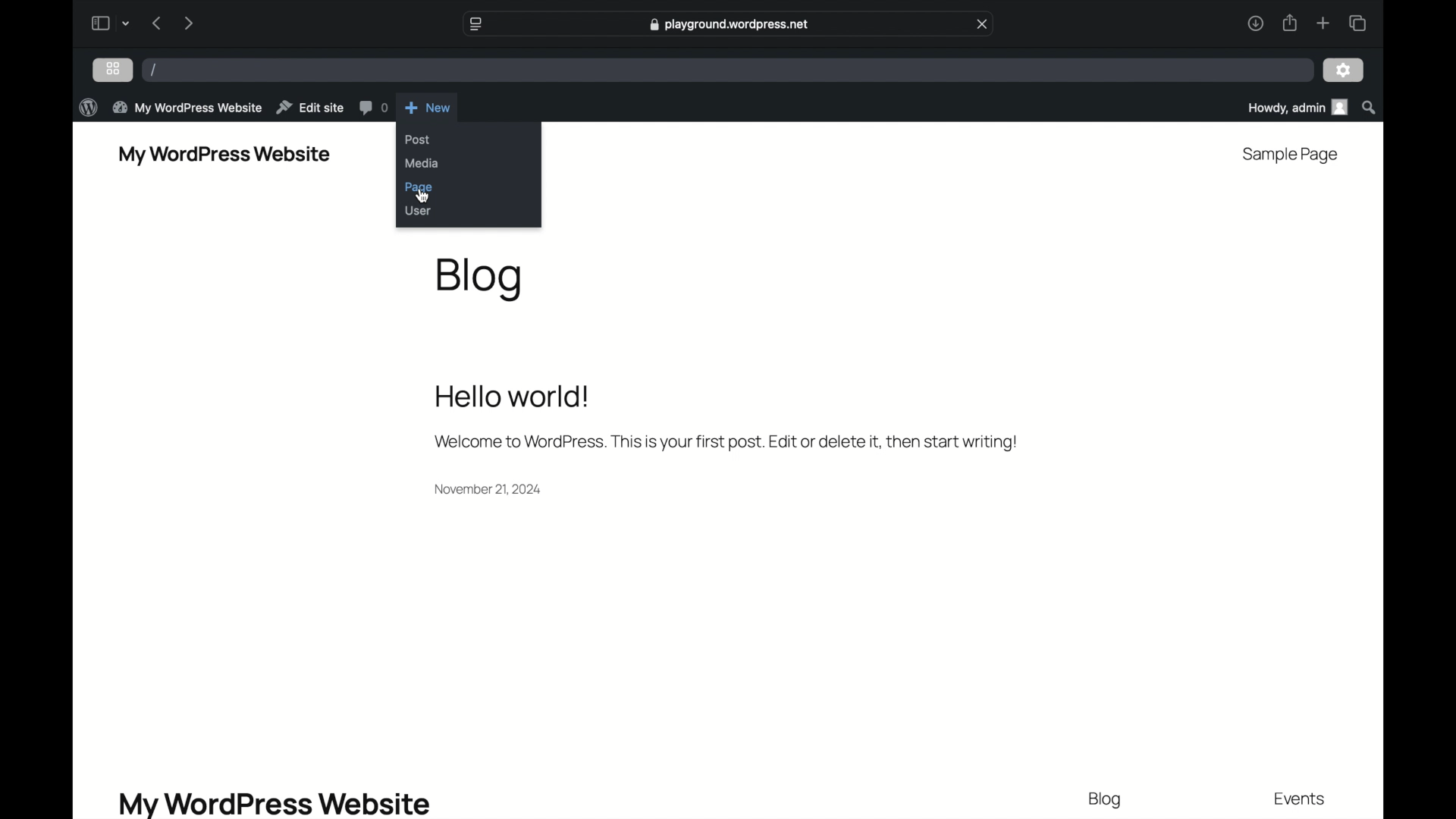 The height and width of the screenshot is (819, 1456). Describe the element at coordinates (732, 441) in the screenshot. I see `Welcome to WordPress. This is your first post. Edit or delete it, then start writing!` at that location.